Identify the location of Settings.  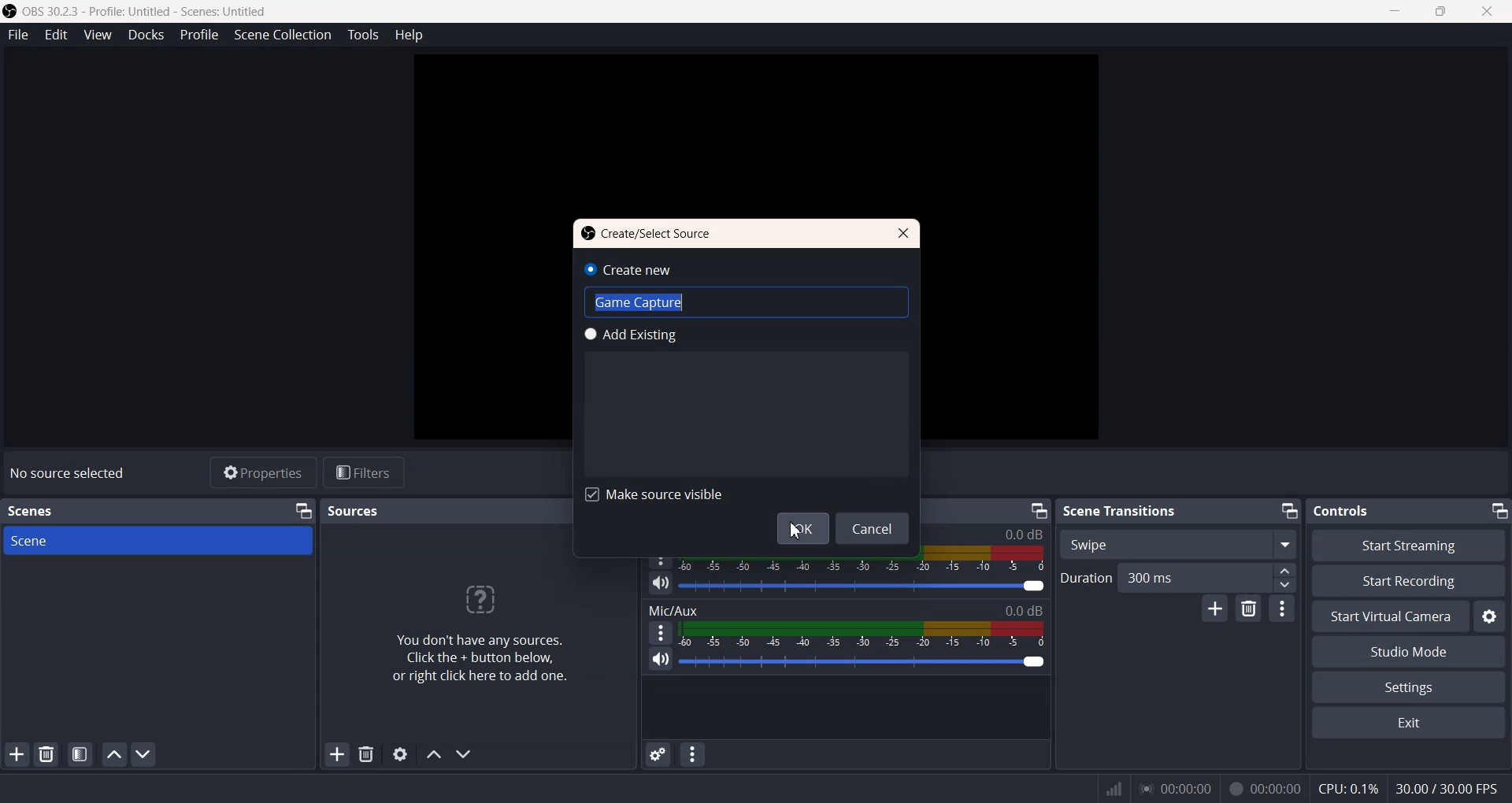
(1409, 686).